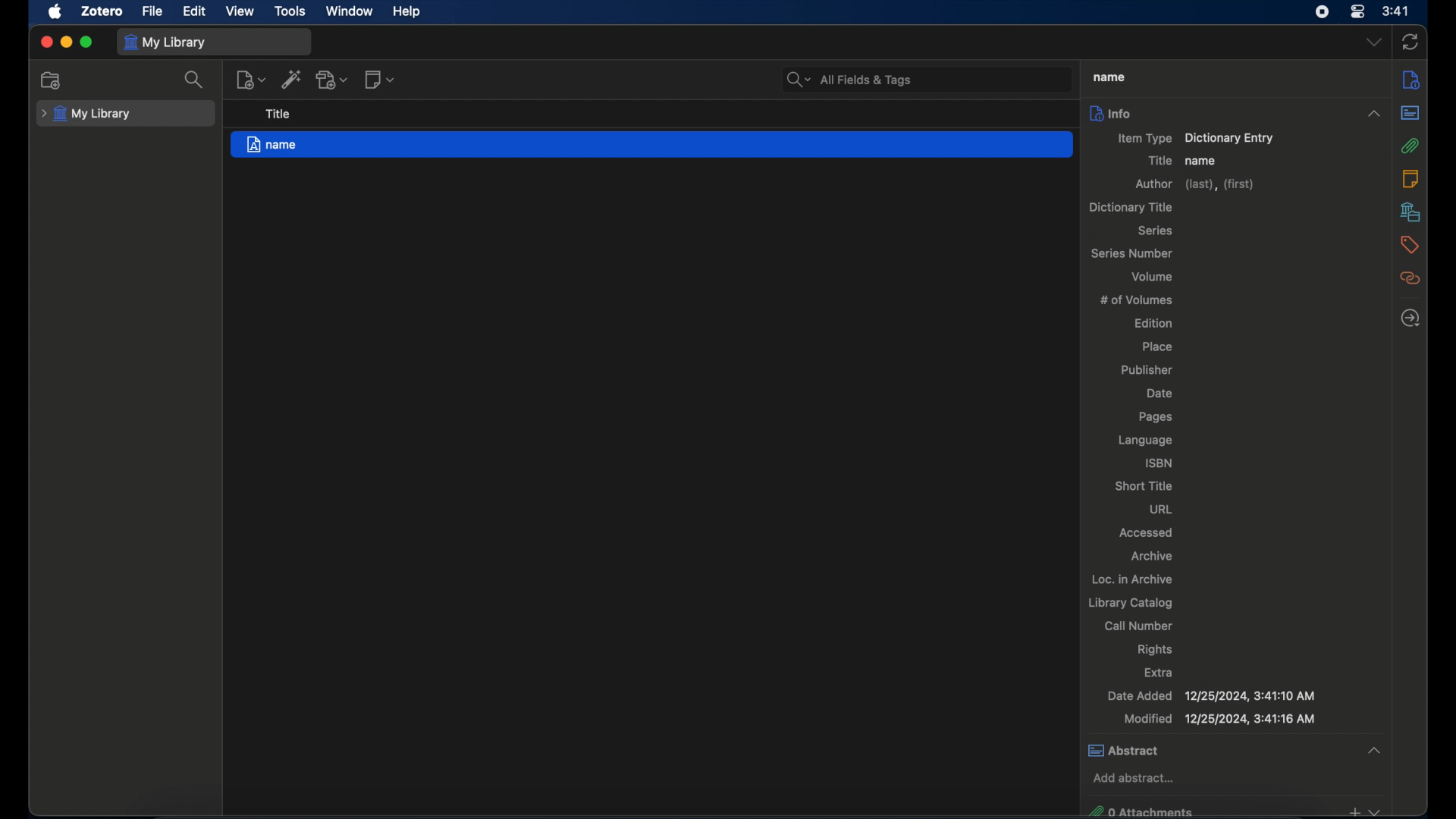 This screenshot has width=1456, height=819. Describe the element at coordinates (167, 42) in the screenshot. I see `my library` at that location.